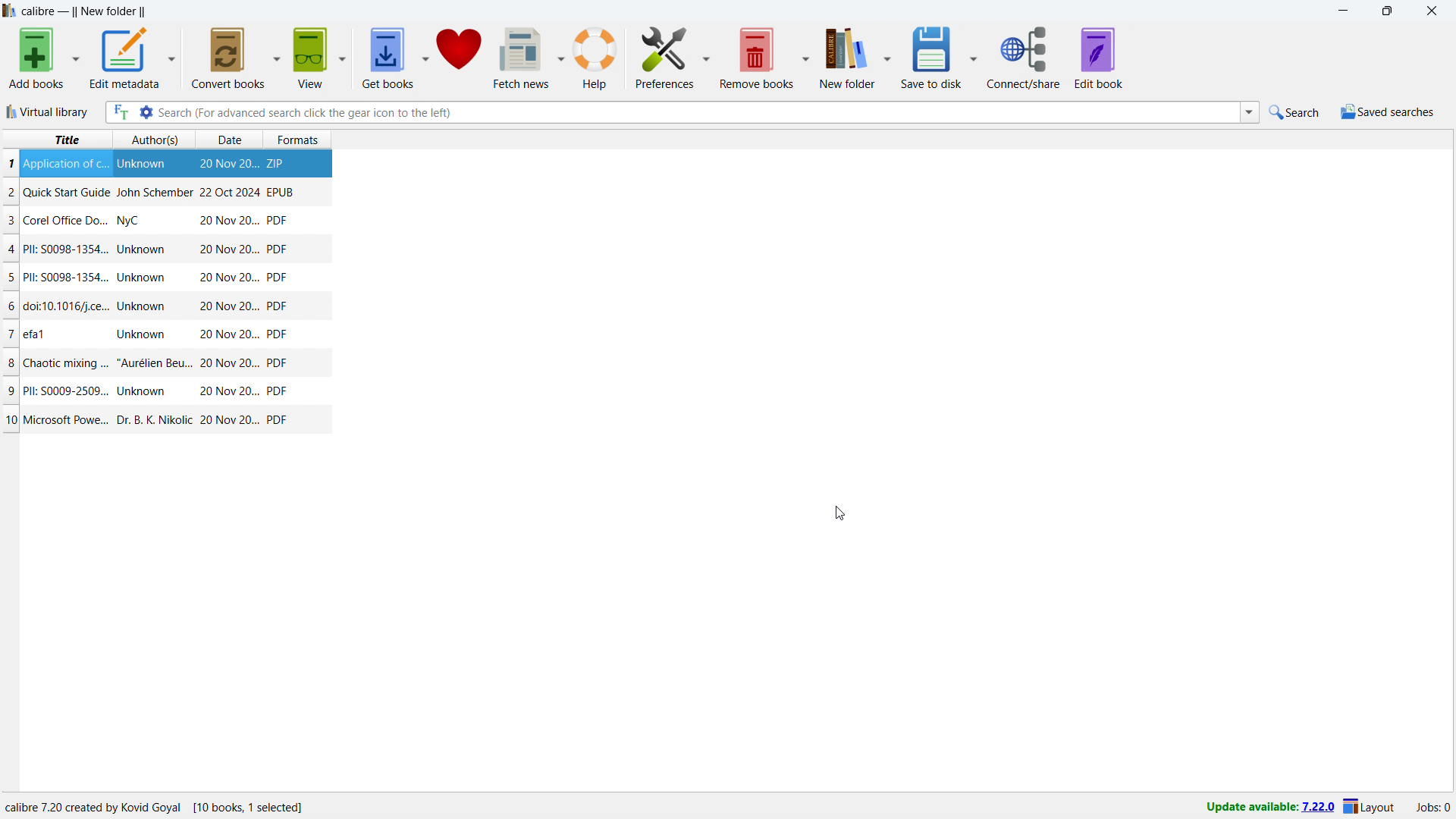 The width and height of the screenshot is (1456, 819). I want to click on title changed, so click(84, 13).